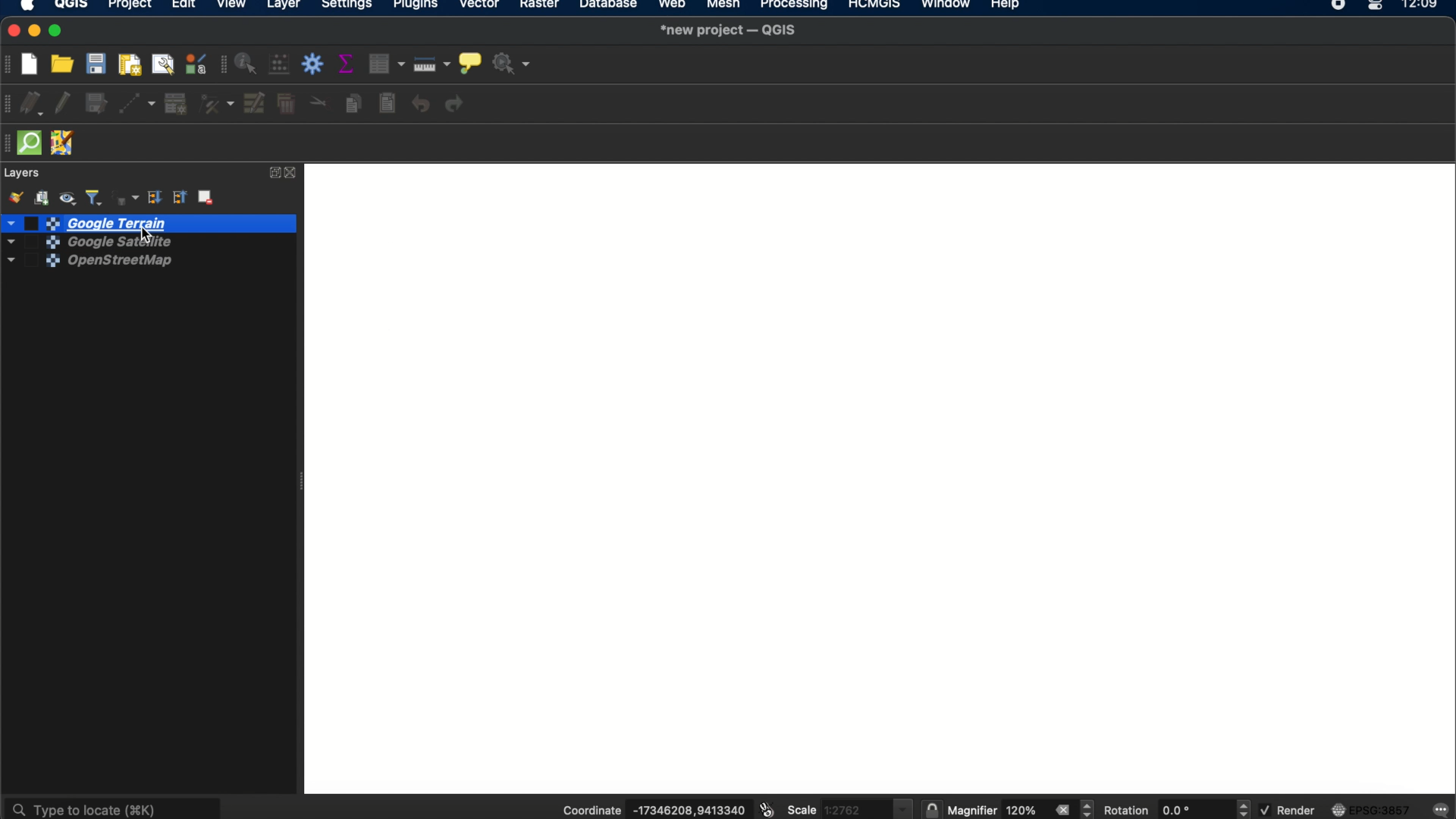 The width and height of the screenshot is (1456, 819). Describe the element at coordinates (124, 196) in the screenshot. I see `filter legend by expression` at that location.